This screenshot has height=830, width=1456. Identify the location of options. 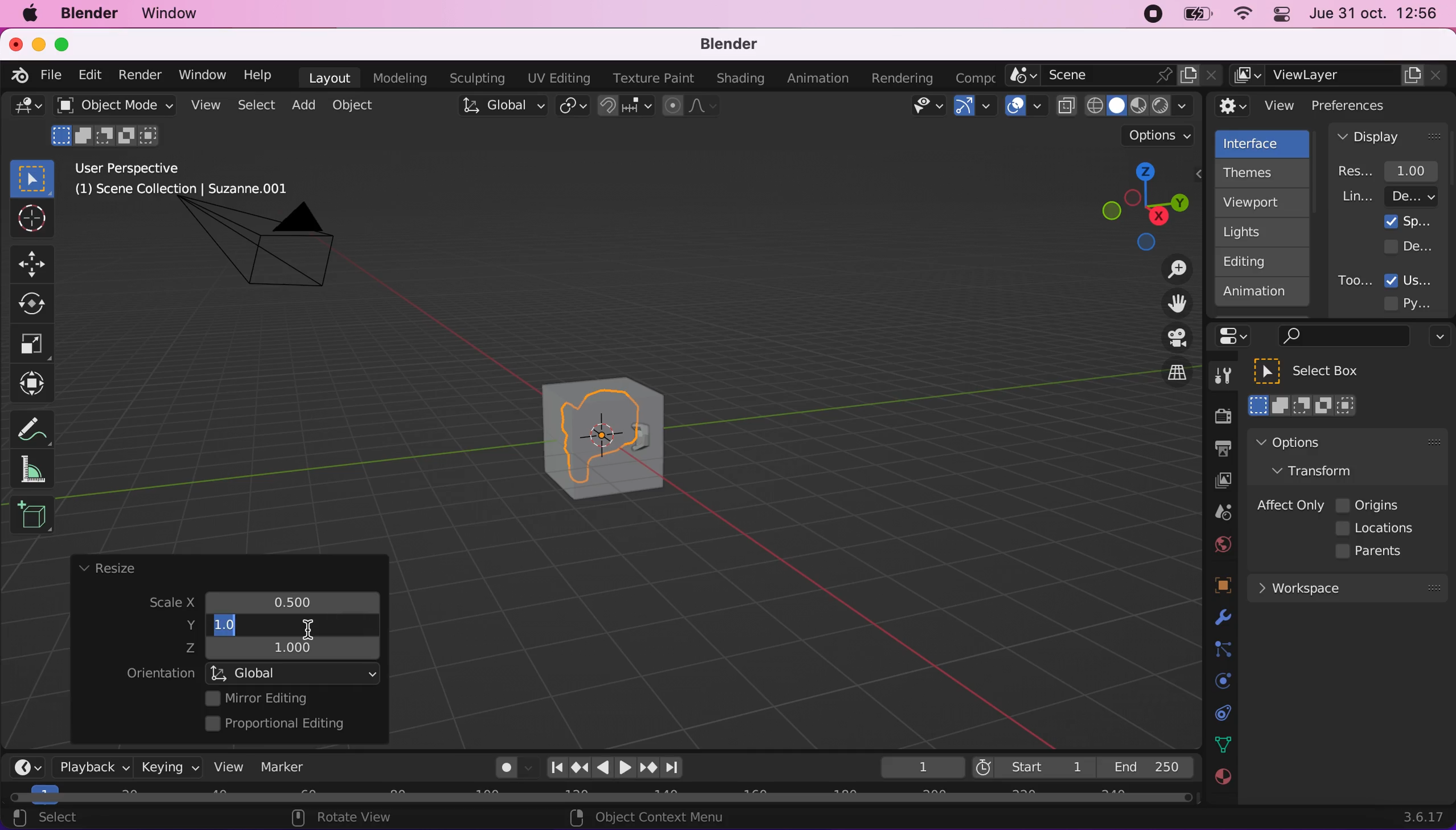
(1437, 338).